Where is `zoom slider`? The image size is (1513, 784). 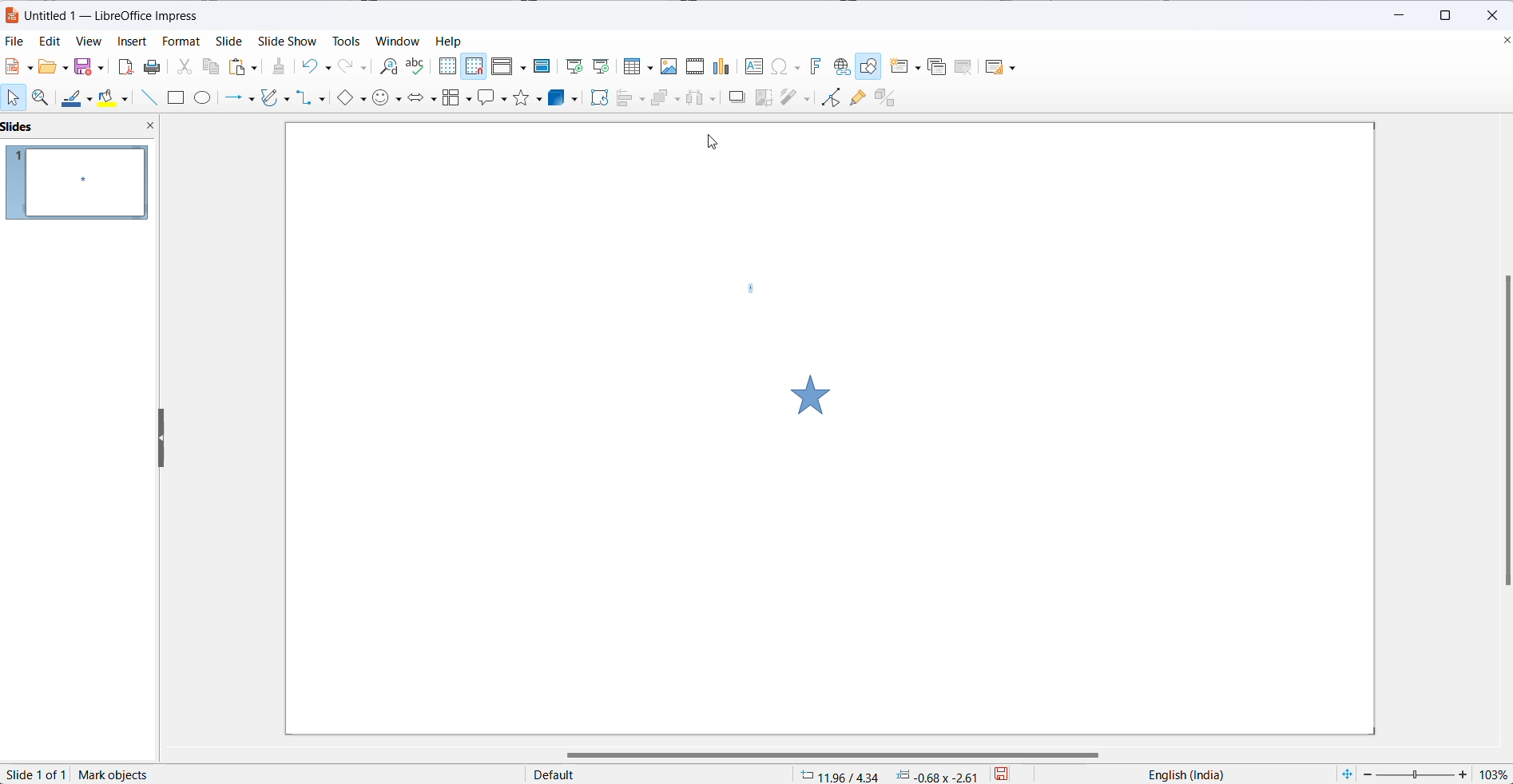 zoom slider is located at coordinates (1417, 774).